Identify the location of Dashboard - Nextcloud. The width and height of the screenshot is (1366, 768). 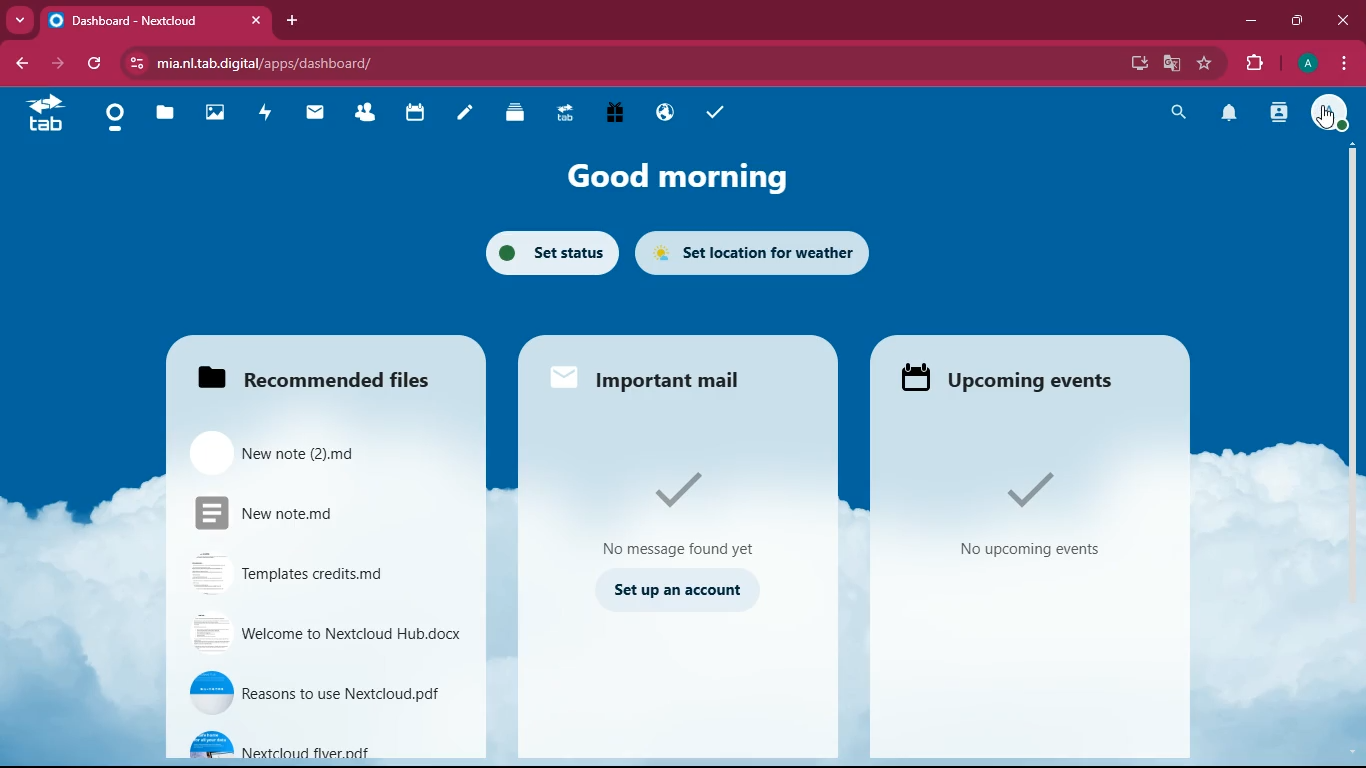
(138, 21).